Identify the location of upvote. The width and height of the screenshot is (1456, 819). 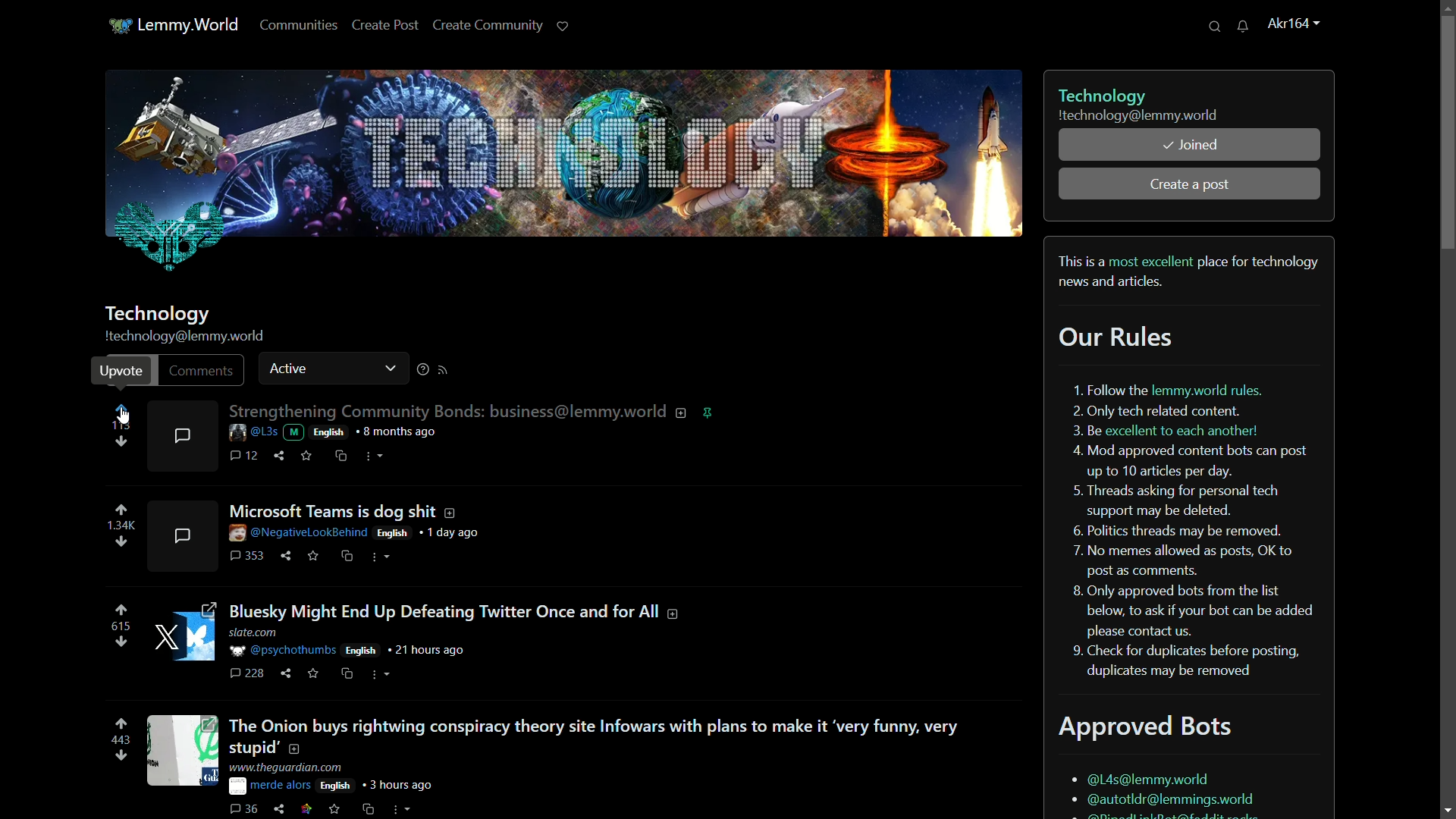
(121, 723).